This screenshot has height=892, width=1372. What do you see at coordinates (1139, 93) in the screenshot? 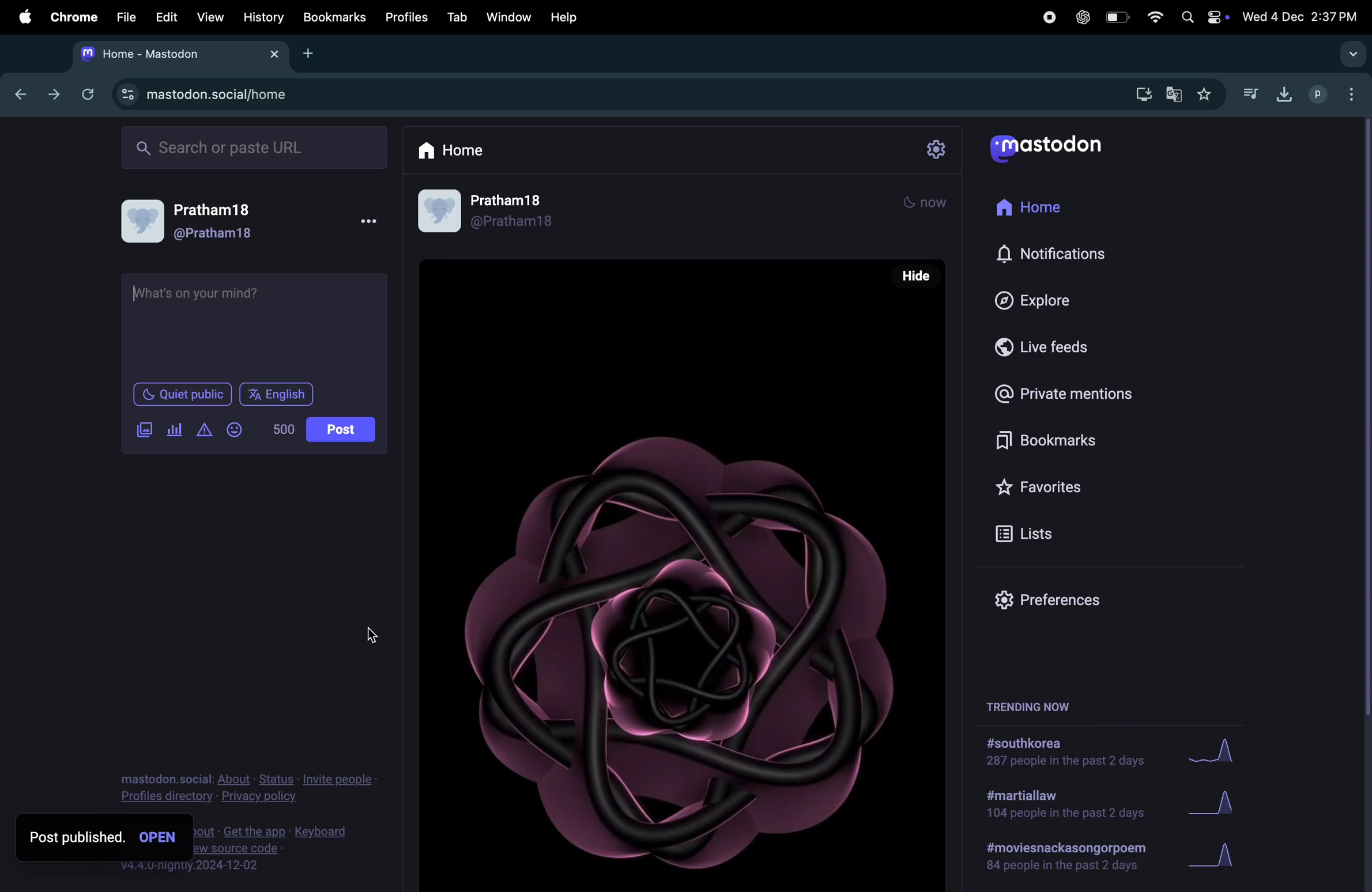
I see `download mastodon` at bounding box center [1139, 93].